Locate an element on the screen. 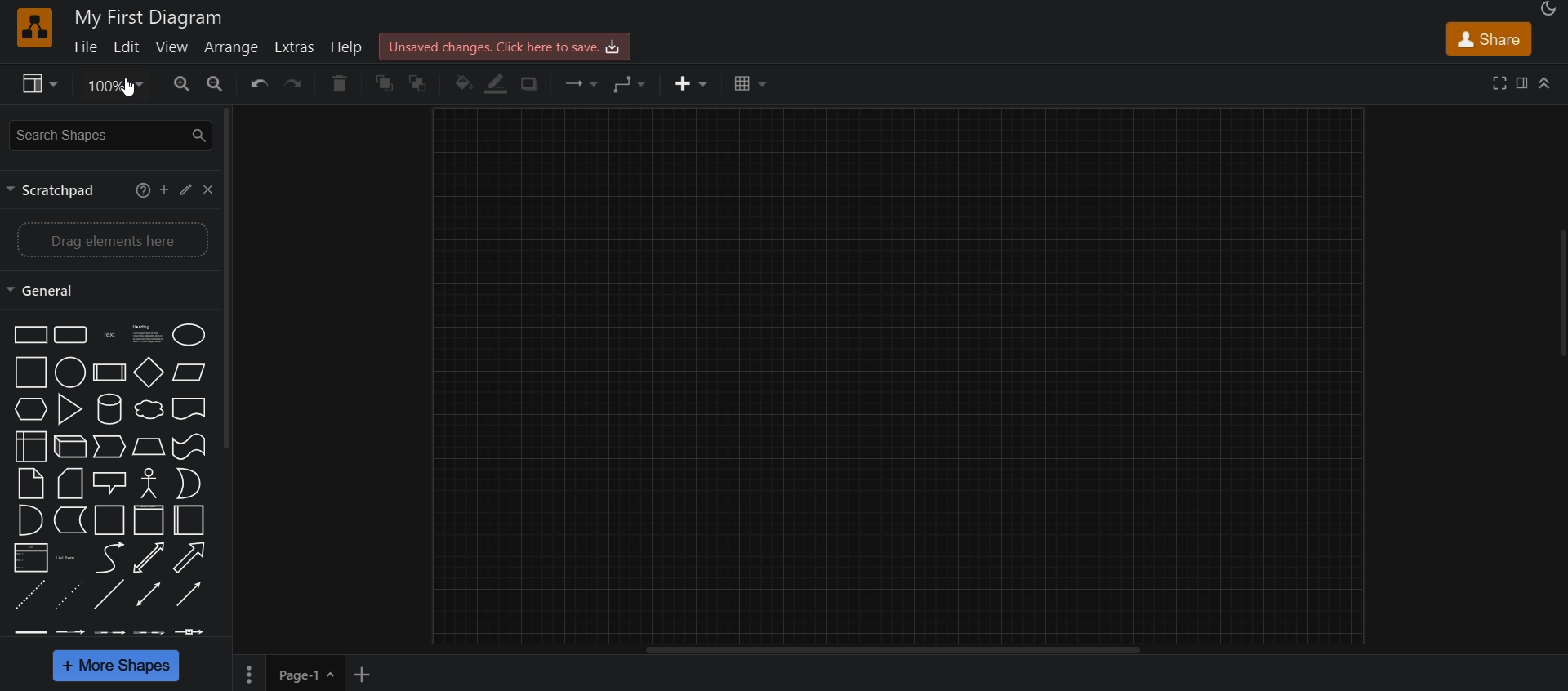 Image resolution: width=1568 pixels, height=691 pixels. to back is located at coordinates (421, 84).